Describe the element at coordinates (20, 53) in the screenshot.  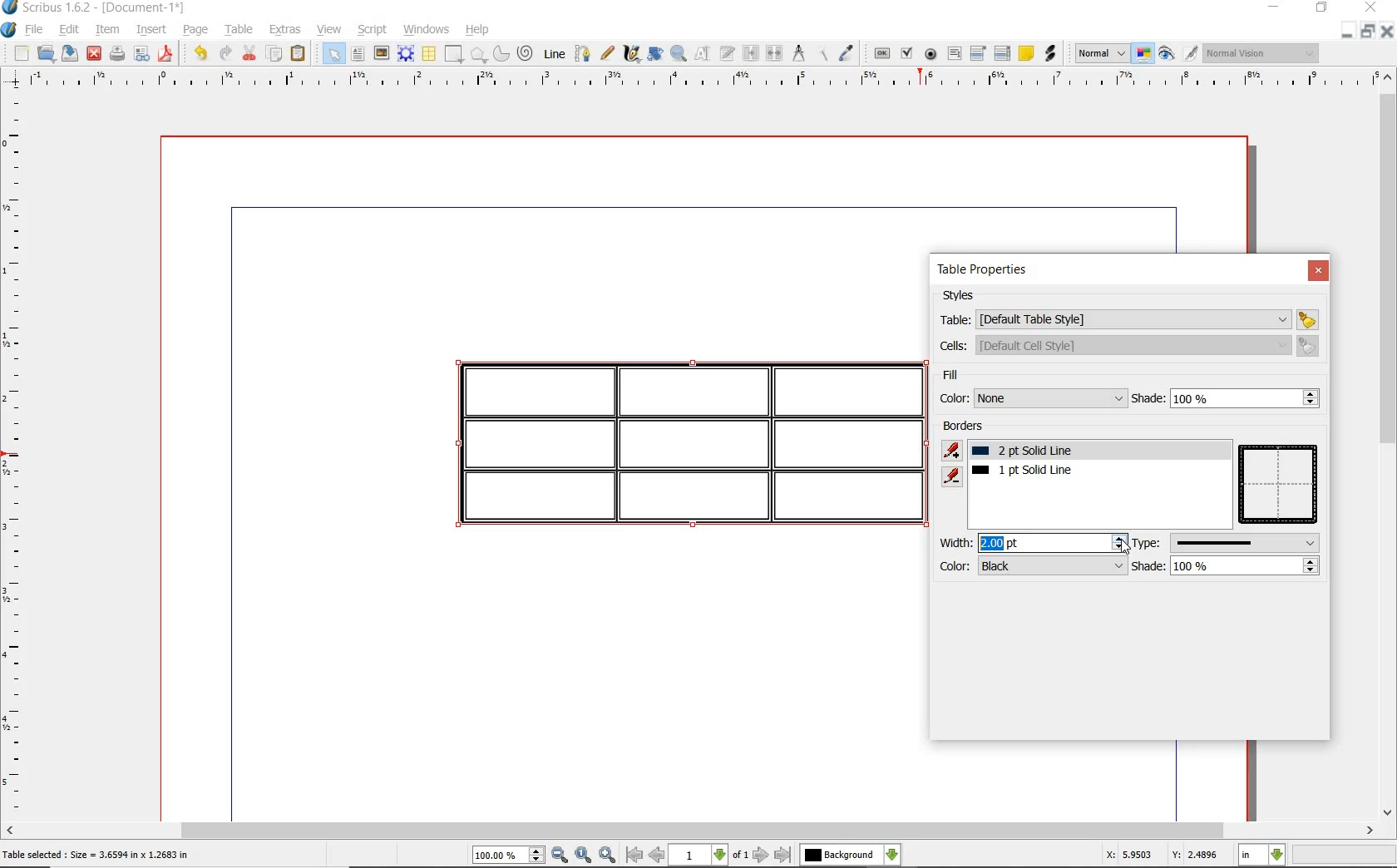
I see `new` at that location.